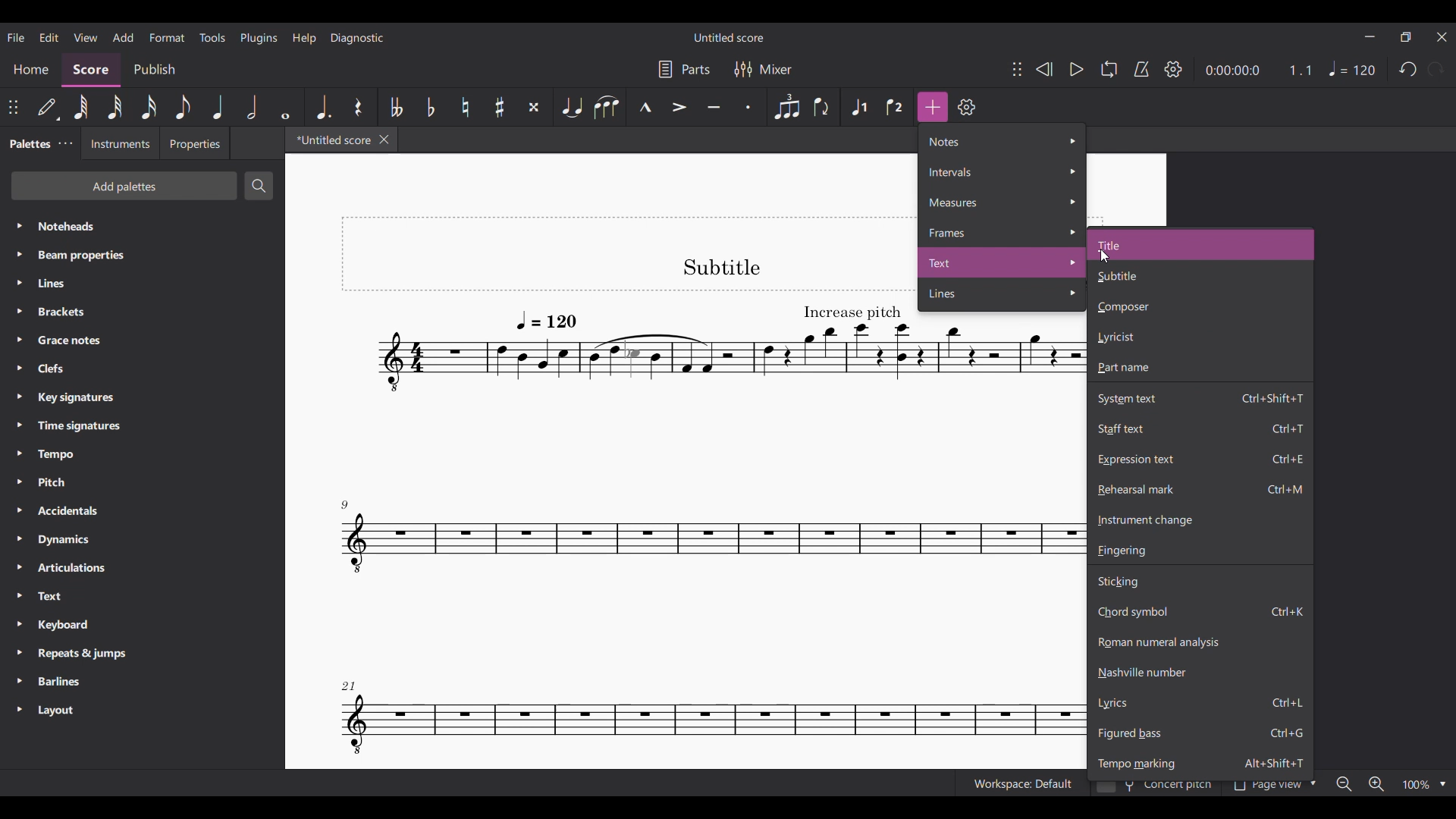  What do you see at coordinates (1021, 783) in the screenshot?
I see `Workspace: Default` at bounding box center [1021, 783].